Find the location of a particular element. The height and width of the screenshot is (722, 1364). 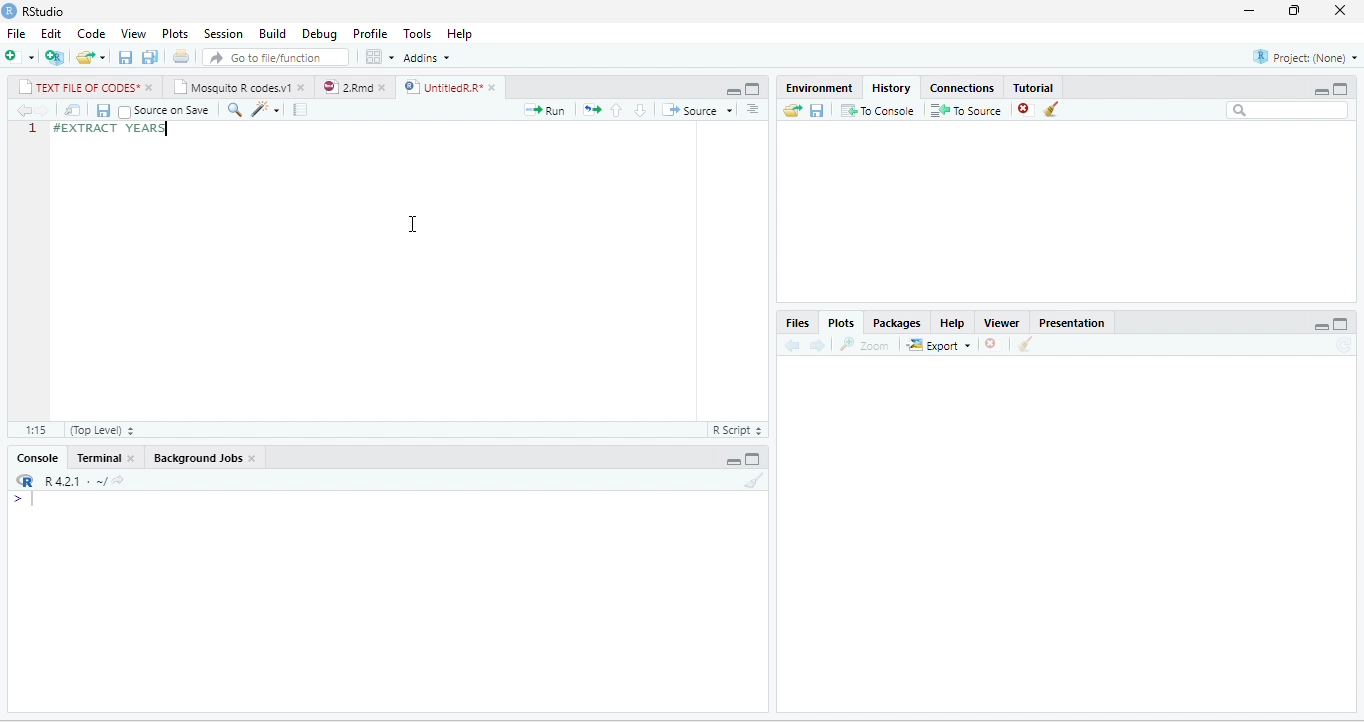

Profile is located at coordinates (371, 35).